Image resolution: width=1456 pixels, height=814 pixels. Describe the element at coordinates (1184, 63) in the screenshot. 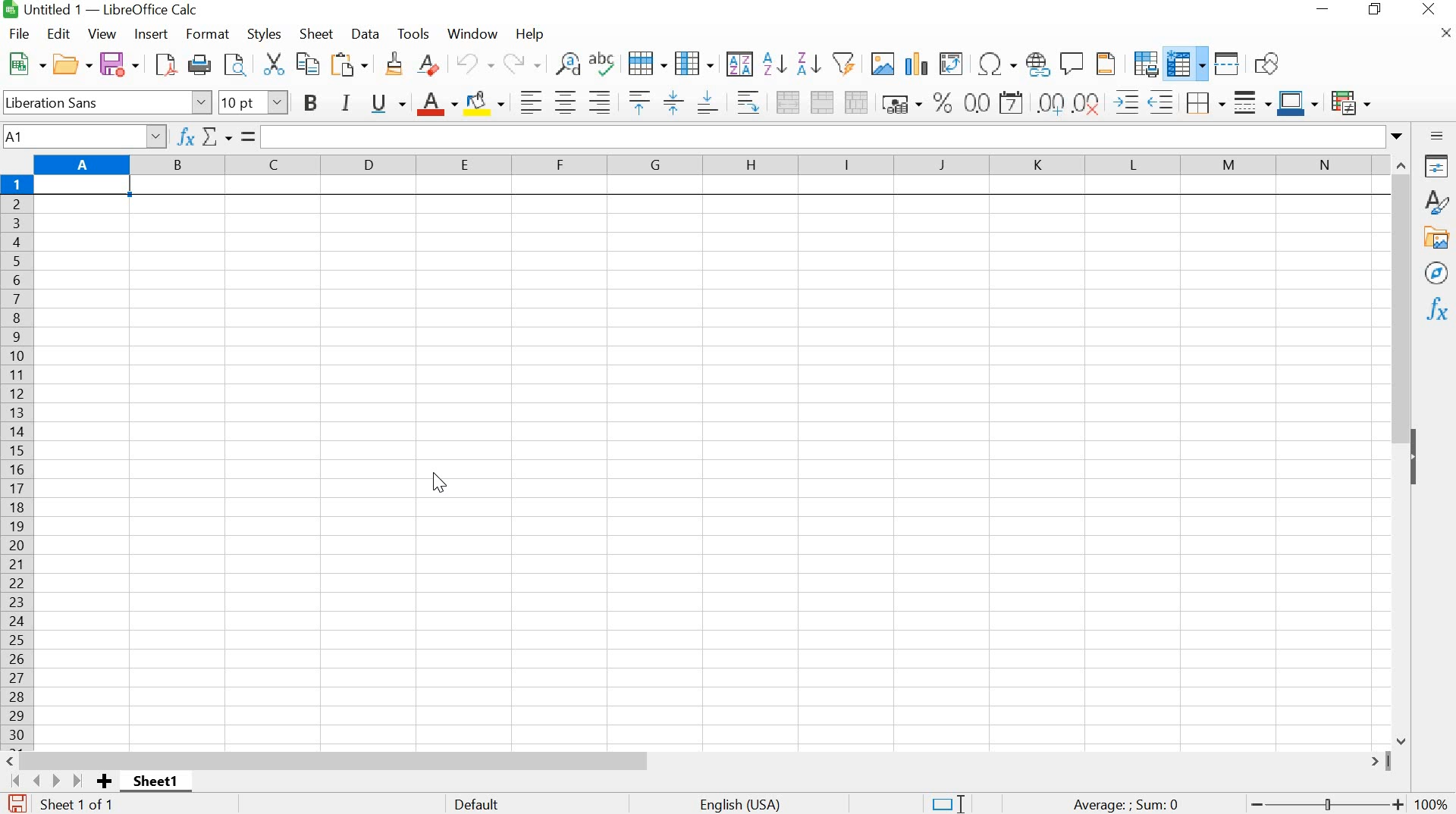

I see `FREEZE ROWS AND COLUMNS` at that location.